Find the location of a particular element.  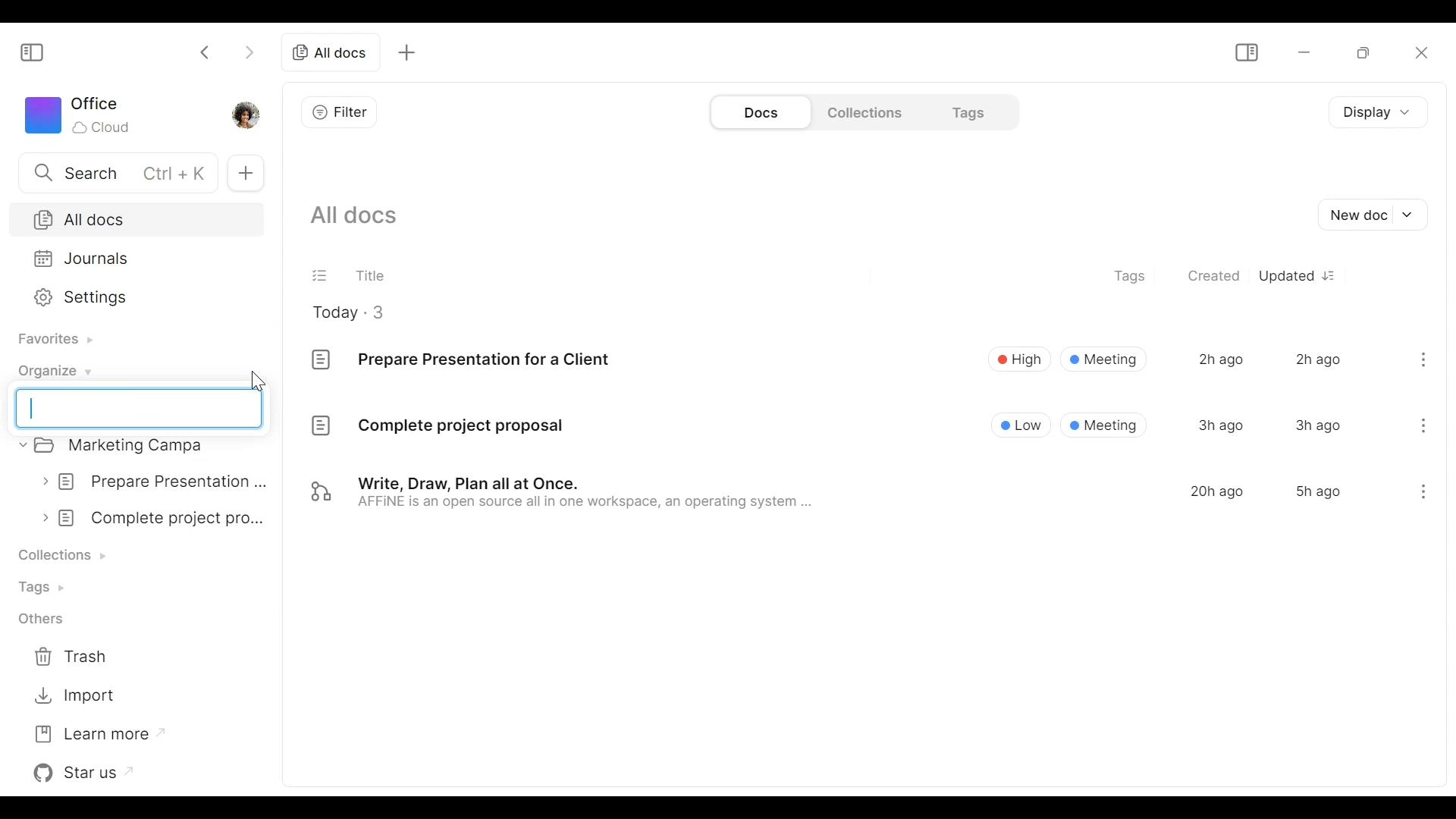

menu icon is located at coordinates (1423, 423).